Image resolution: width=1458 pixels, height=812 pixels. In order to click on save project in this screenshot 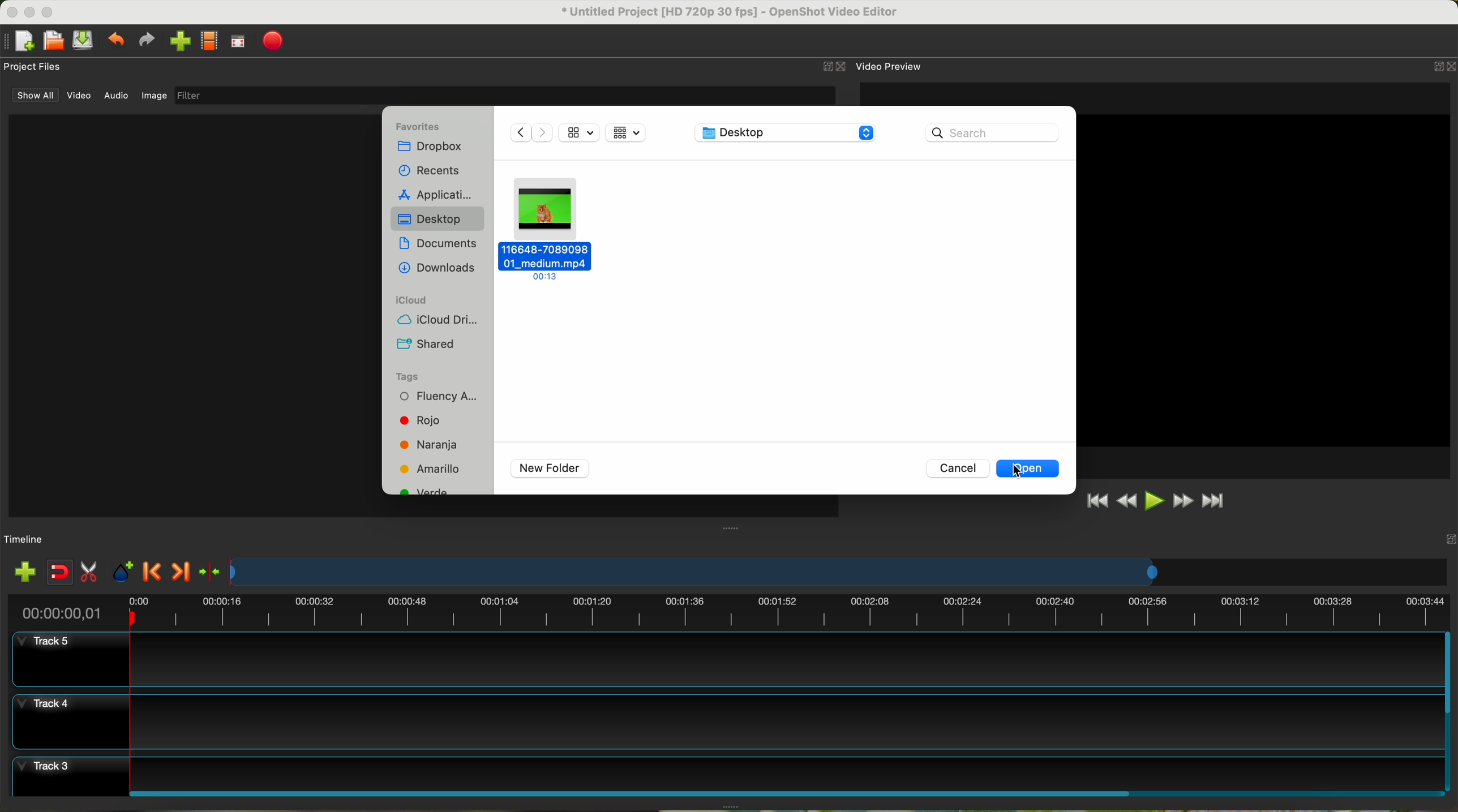, I will do `click(84, 40)`.